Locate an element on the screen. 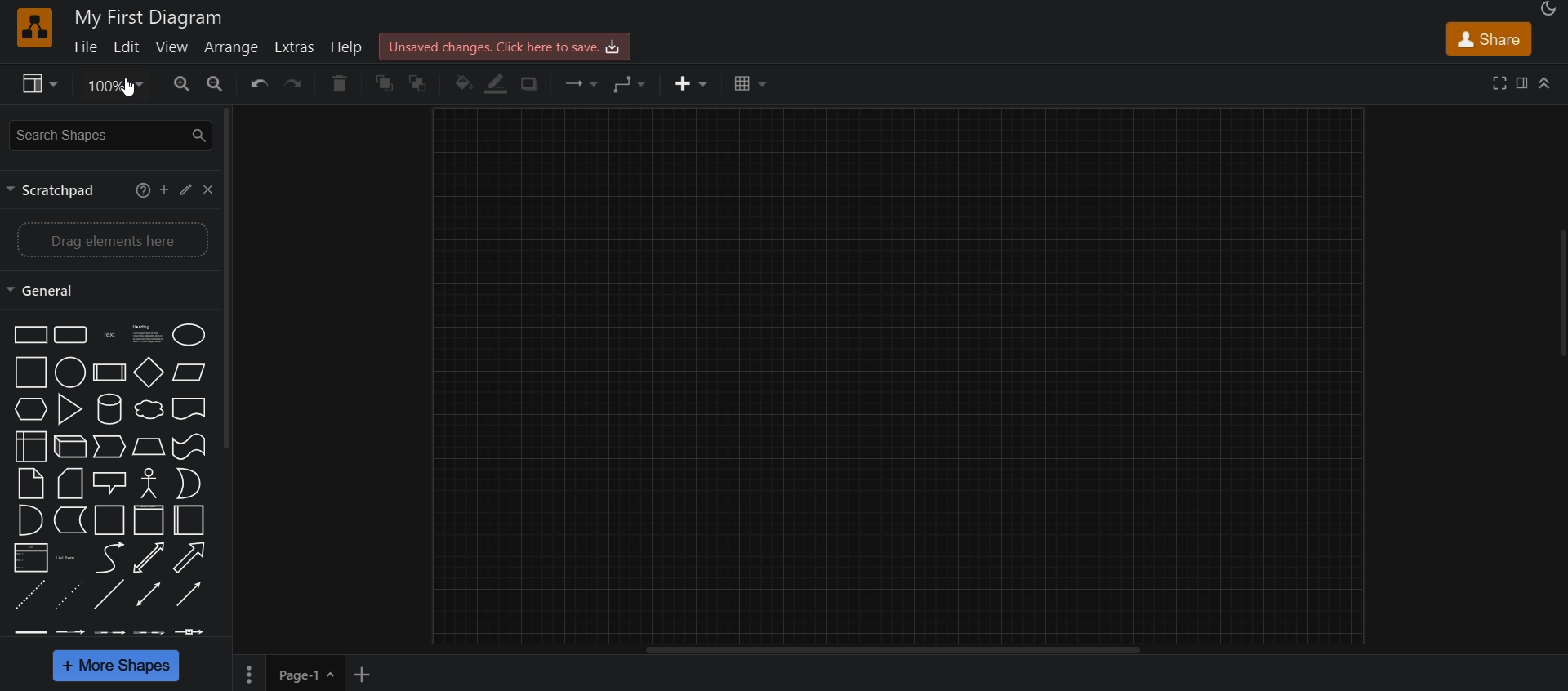  extras is located at coordinates (297, 47).